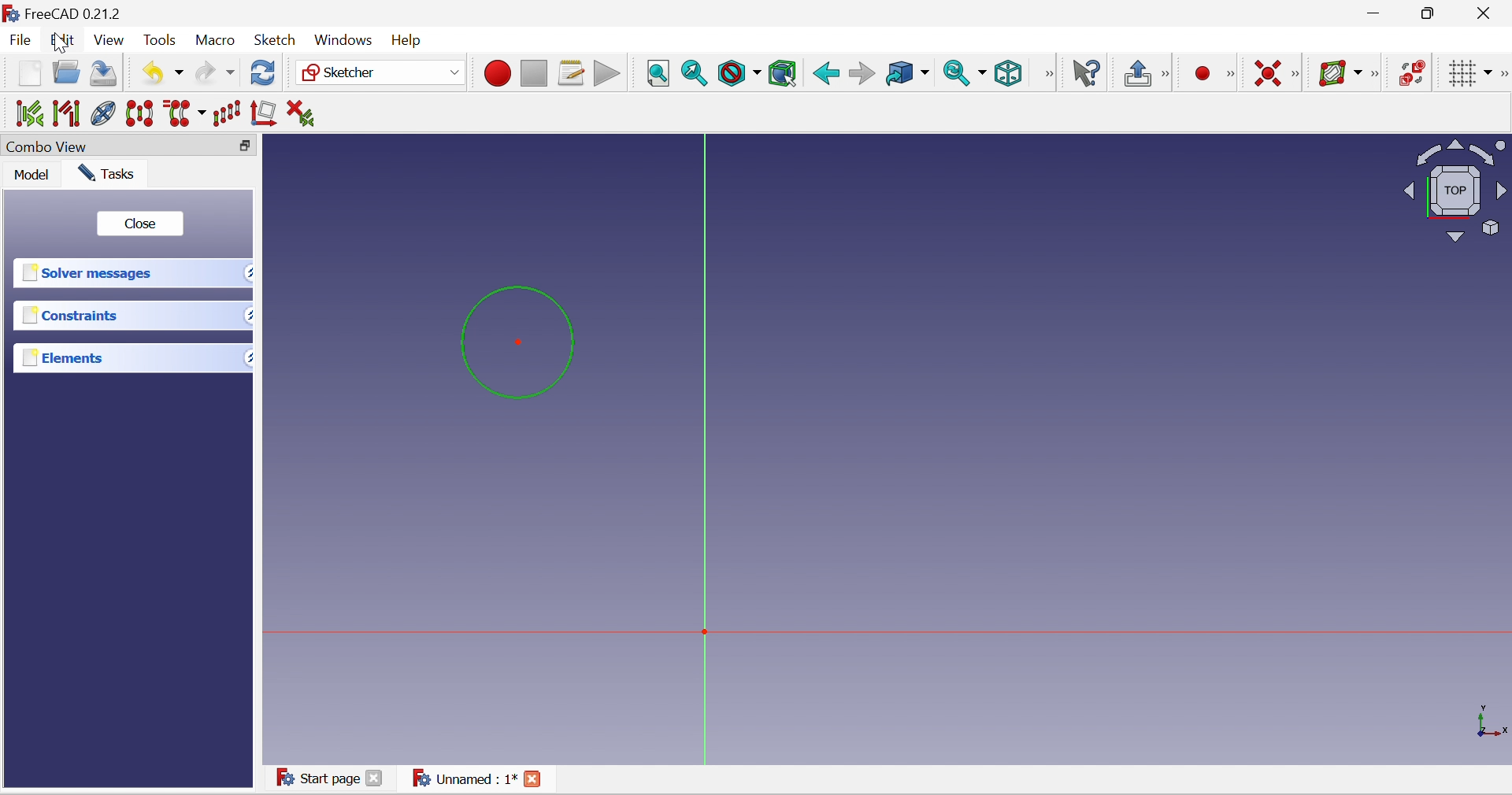 This screenshot has height=795, width=1512. Describe the element at coordinates (962, 74) in the screenshot. I see `Sync view` at that location.